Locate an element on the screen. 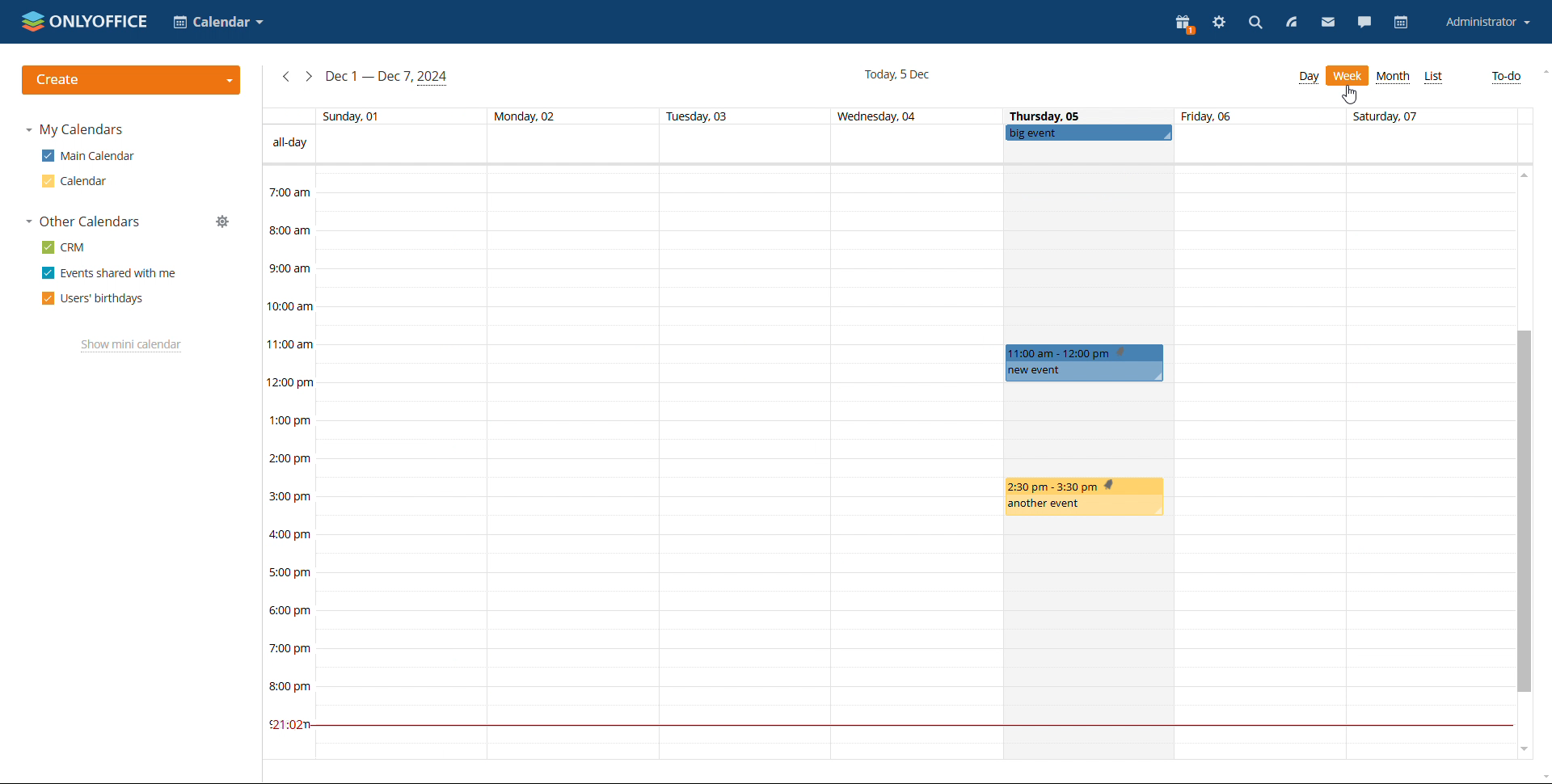 The image size is (1552, 784). month view is located at coordinates (1394, 76).